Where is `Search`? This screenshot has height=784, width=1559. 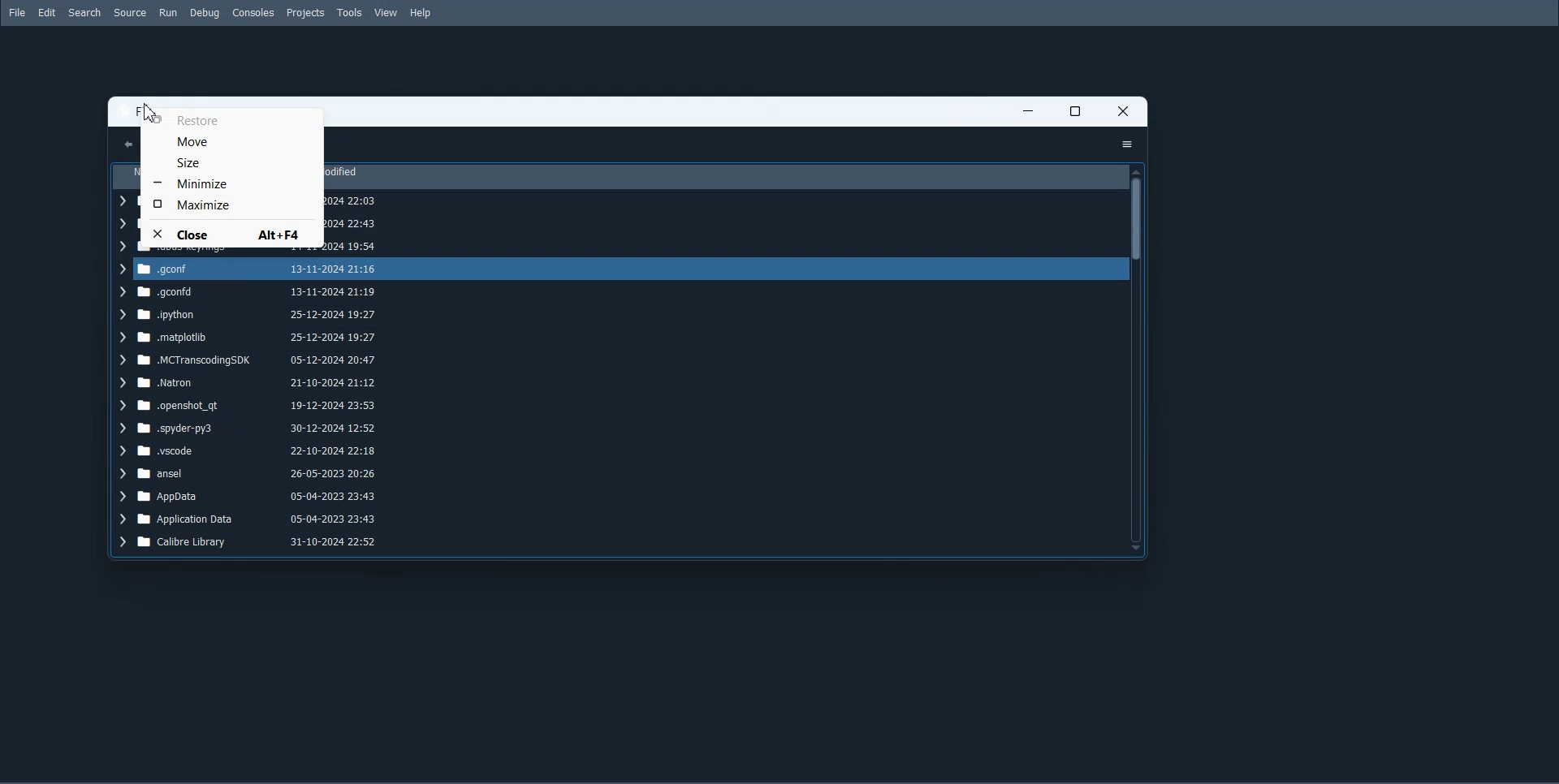
Search is located at coordinates (84, 13).